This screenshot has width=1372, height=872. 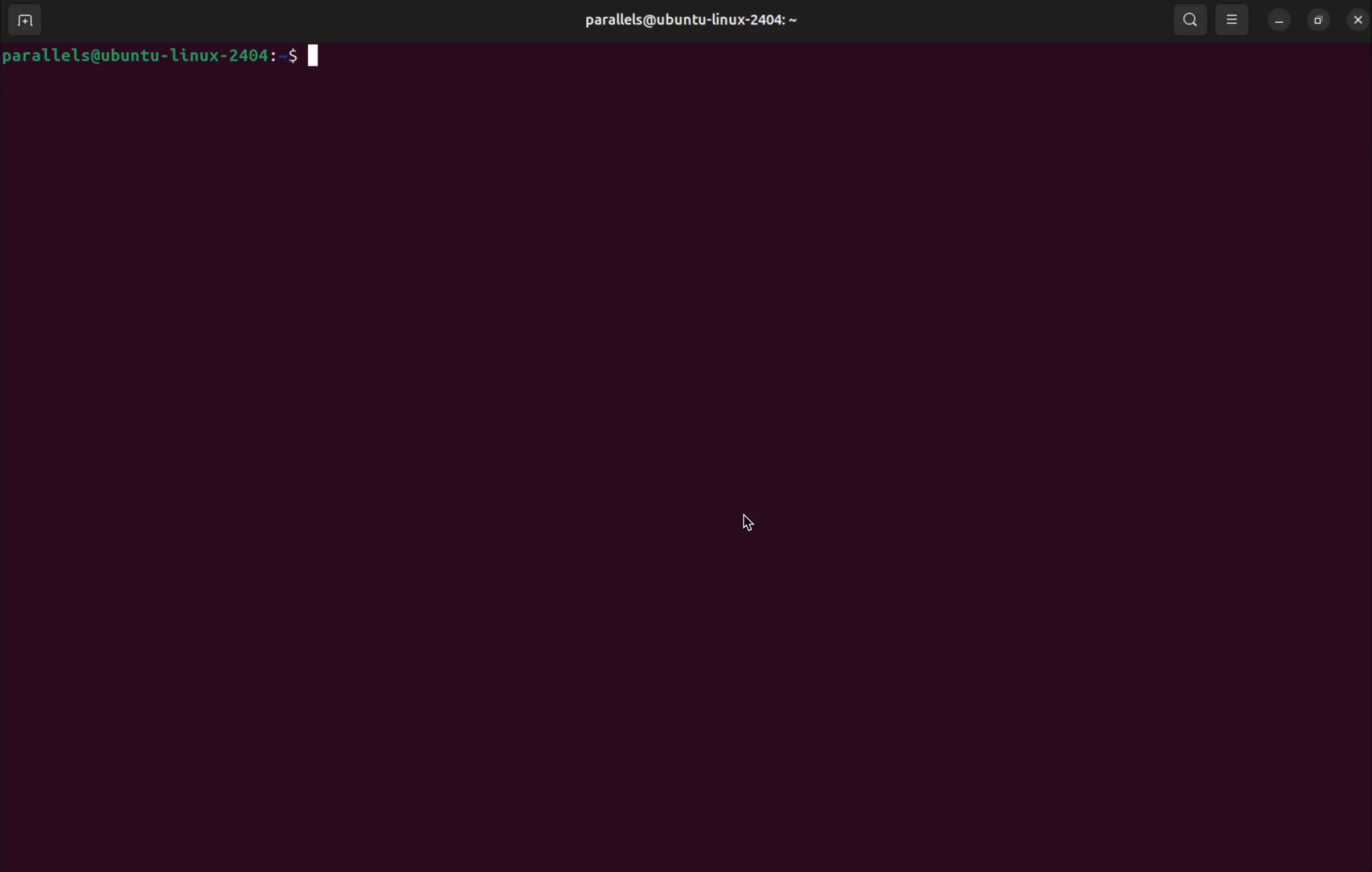 I want to click on user profile, so click(x=697, y=19).